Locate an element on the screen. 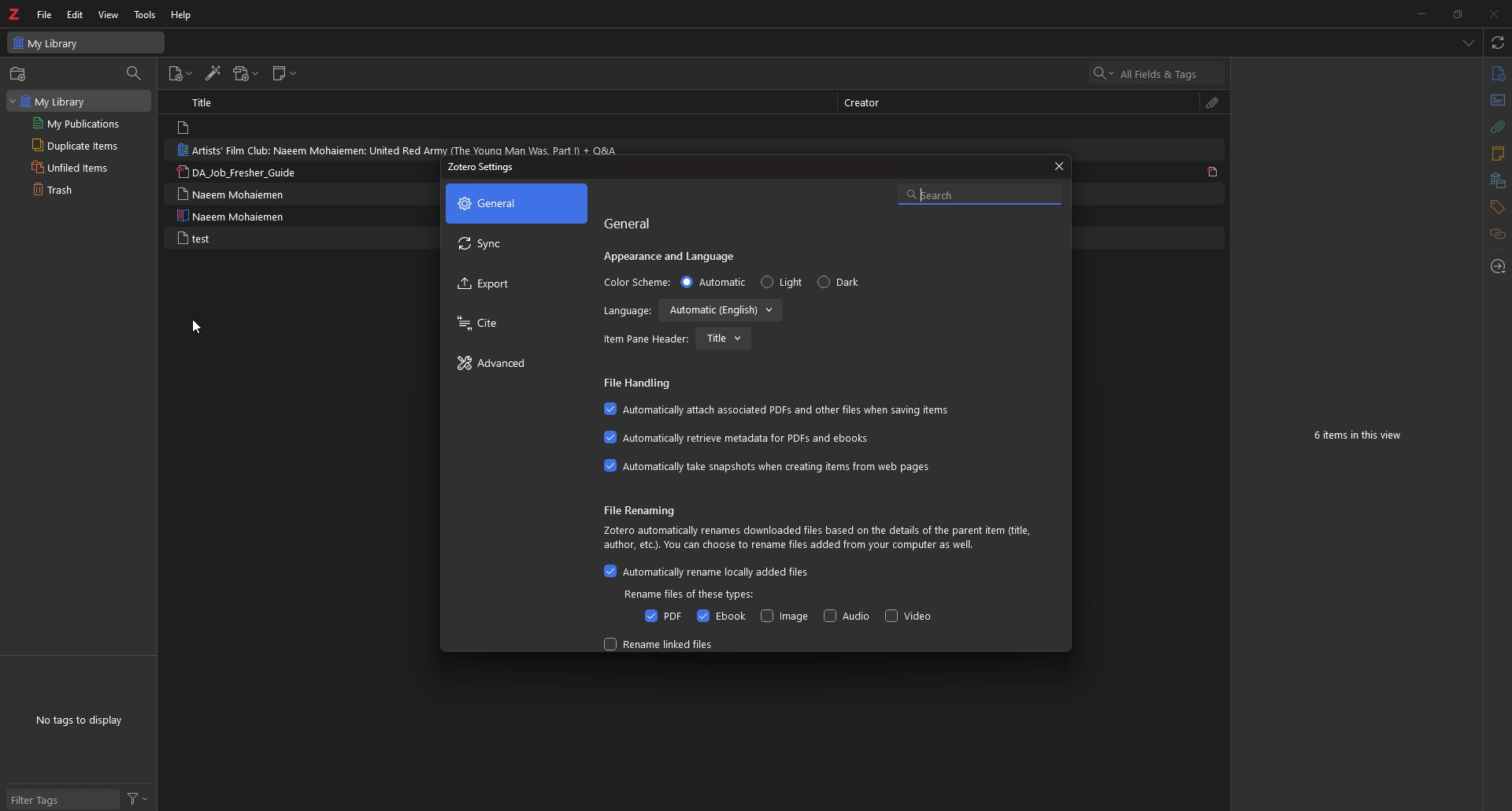 This screenshot has width=1512, height=811. export is located at coordinates (515, 284).